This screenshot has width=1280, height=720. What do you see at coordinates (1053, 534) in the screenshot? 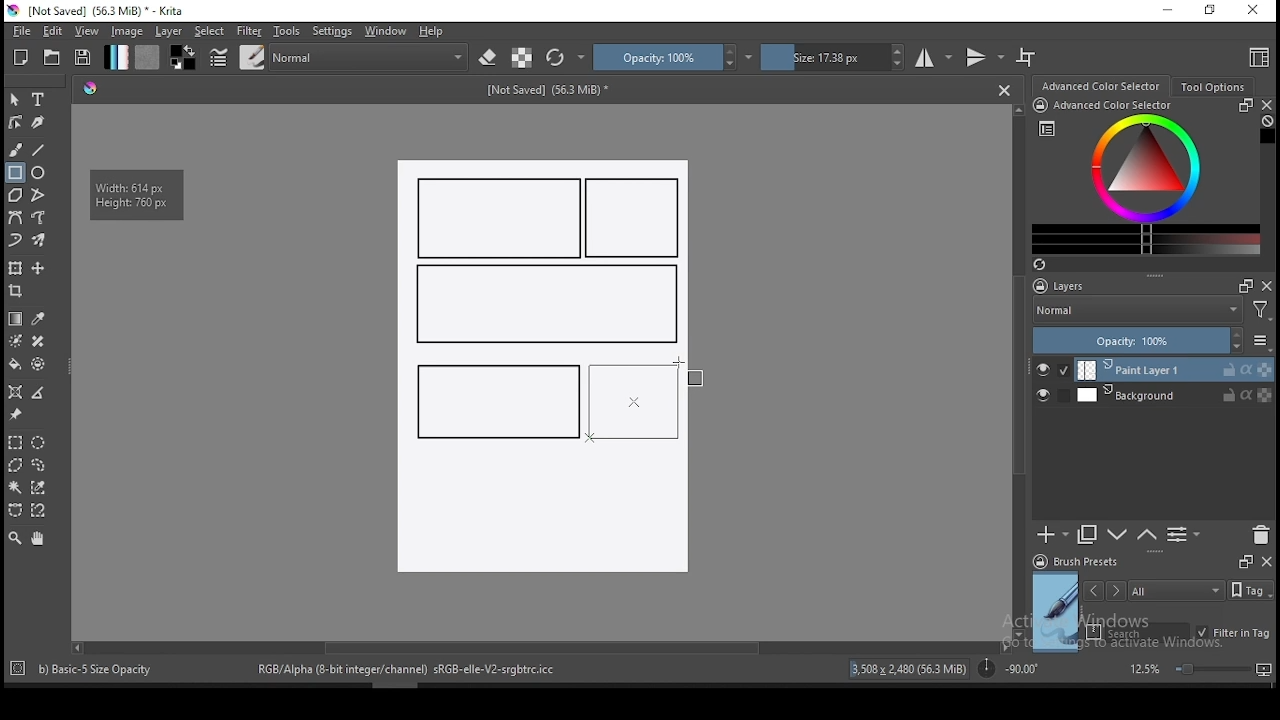
I see `new layer` at bounding box center [1053, 534].